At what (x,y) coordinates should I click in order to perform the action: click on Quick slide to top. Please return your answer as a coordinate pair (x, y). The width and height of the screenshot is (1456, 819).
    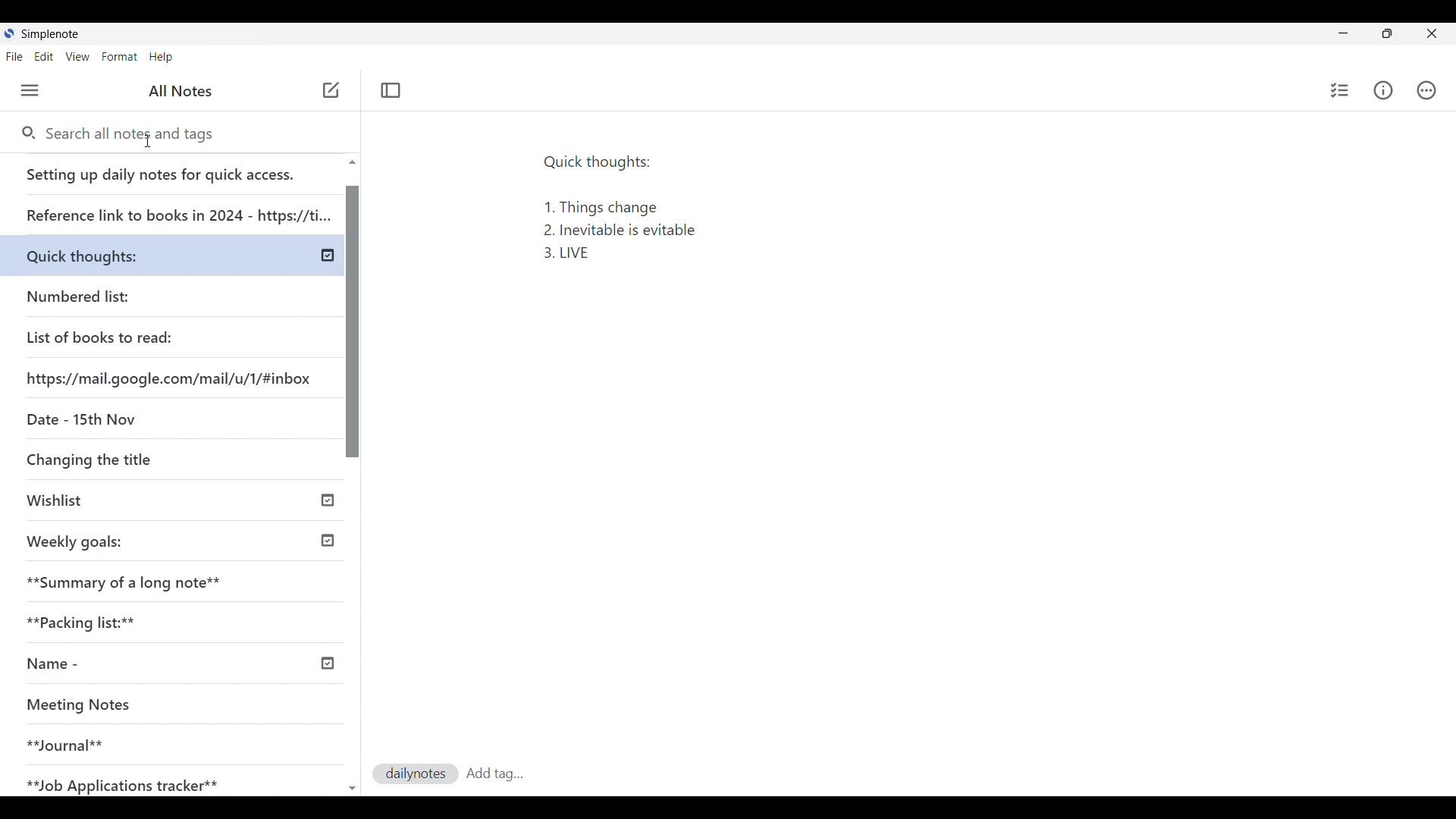
    Looking at the image, I should click on (353, 789).